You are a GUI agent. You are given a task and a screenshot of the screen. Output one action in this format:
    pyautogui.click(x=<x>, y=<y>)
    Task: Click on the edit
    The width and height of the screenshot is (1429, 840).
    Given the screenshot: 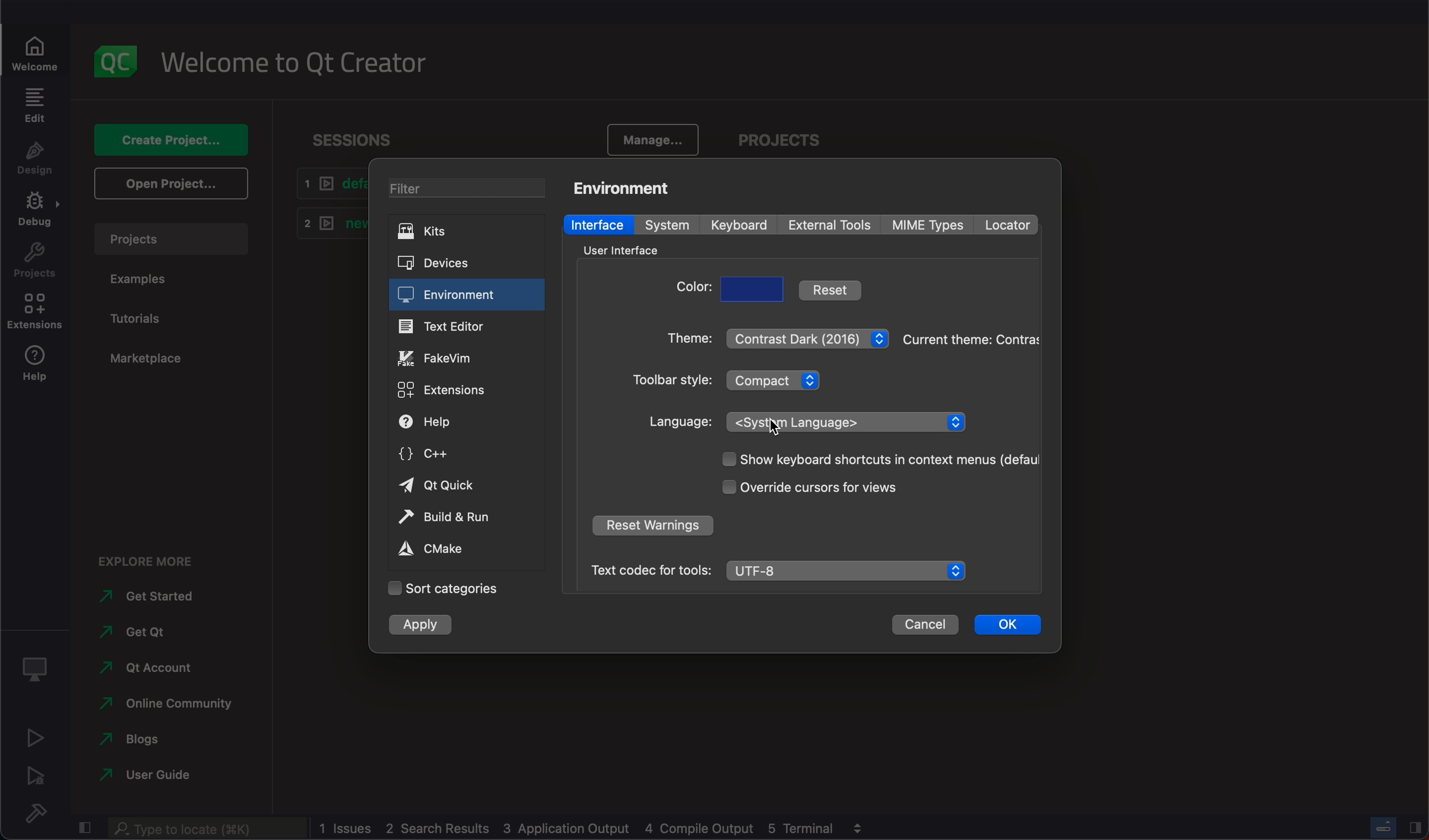 What is the action you would take?
    pyautogui.click(x=34, y=105)
    